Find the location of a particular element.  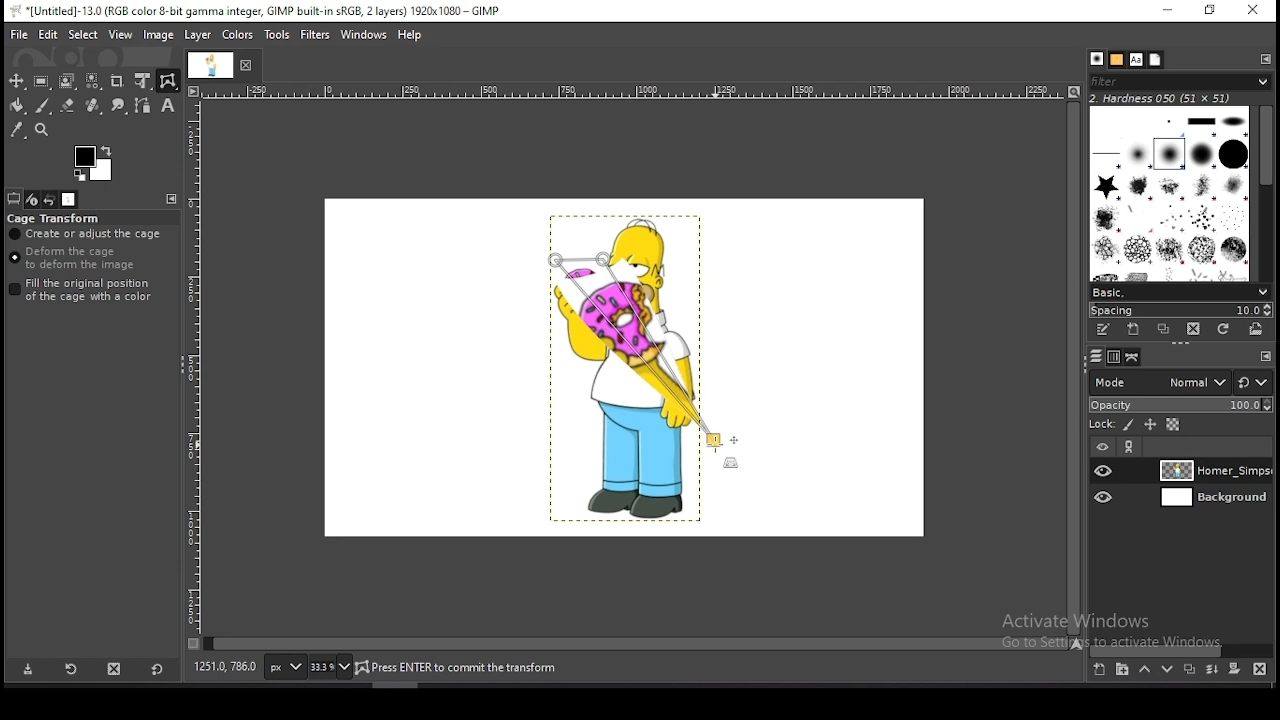

link is located at coordinates (1131, 448).